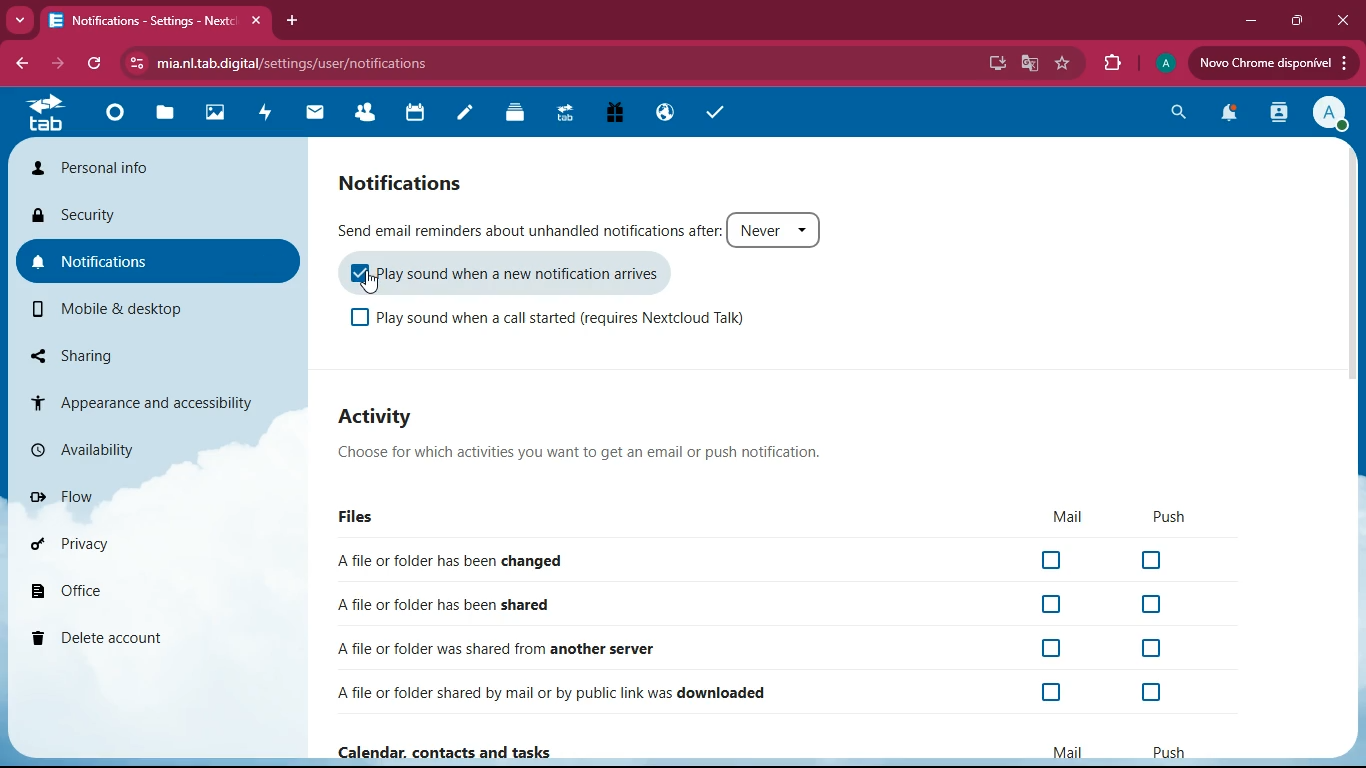  I want to click on minimize, so click(1246, 22).